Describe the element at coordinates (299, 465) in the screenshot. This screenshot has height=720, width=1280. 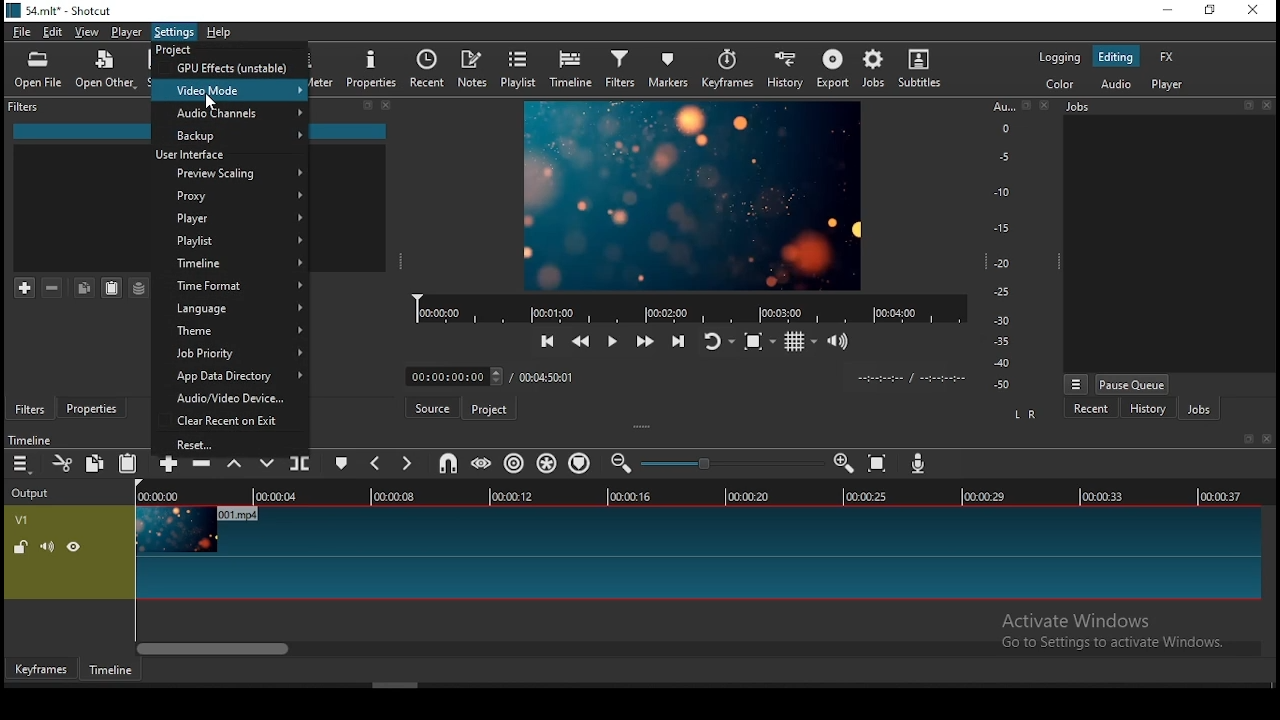
I see `split at playhead` at that location.